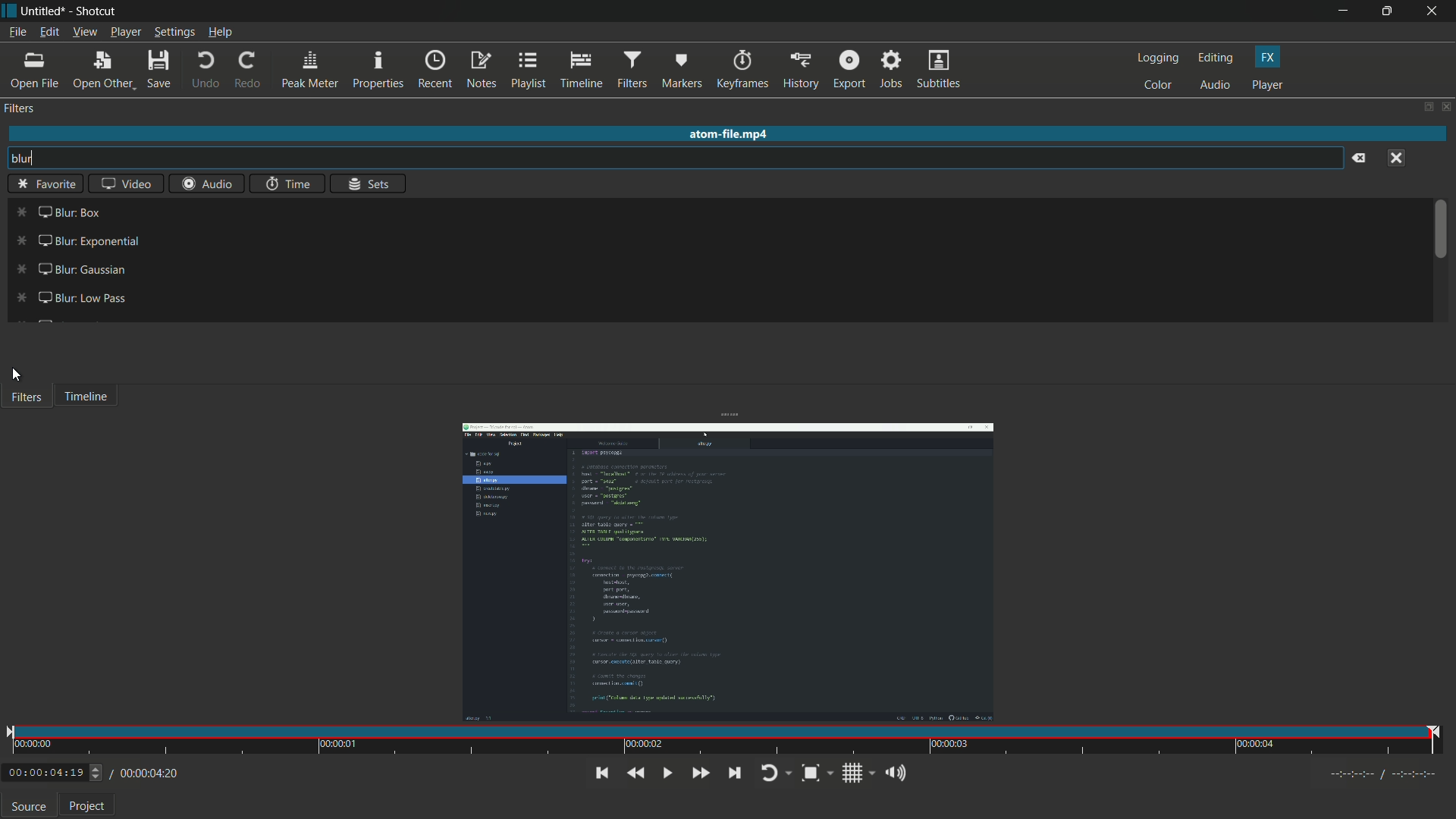 Image resolution: width=1456 pixels, height=819 pixels. What do you see at coordinates (1219, 58) in the screenshot?
I see `editing` at bounding box center [1219, 58].